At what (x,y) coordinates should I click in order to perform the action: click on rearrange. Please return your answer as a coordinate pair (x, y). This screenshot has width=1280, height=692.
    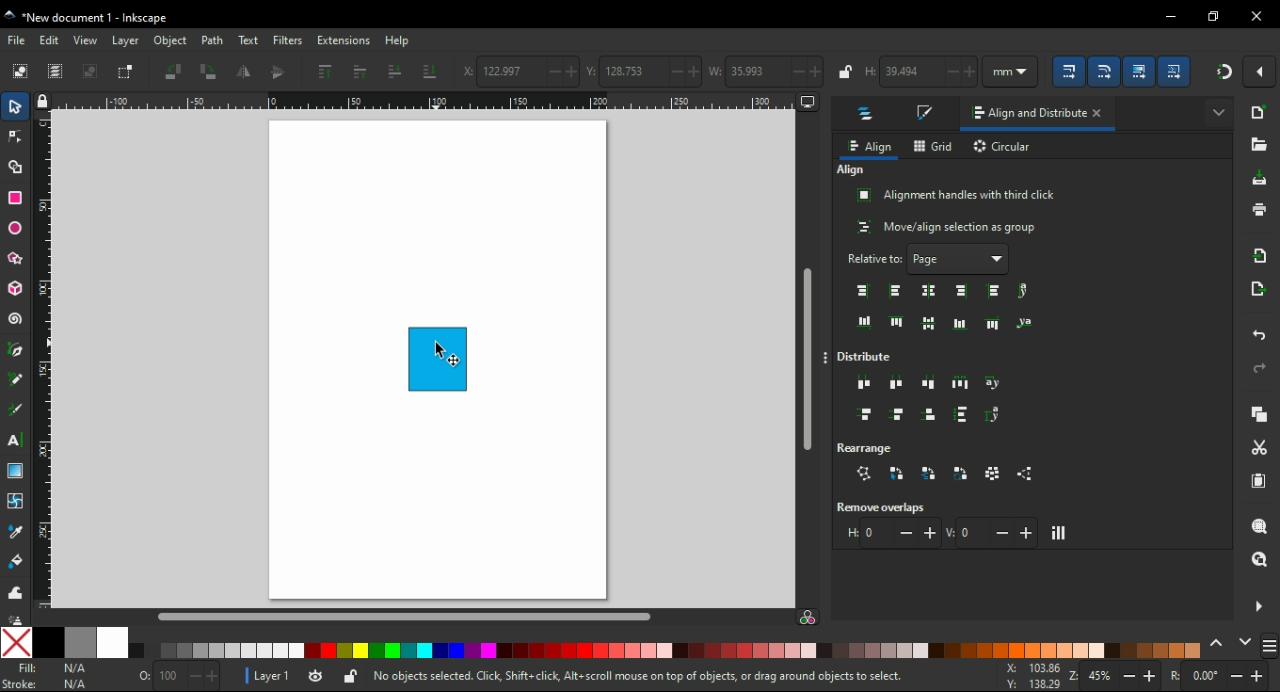
    Looking at the image, I should click on (867, 448).